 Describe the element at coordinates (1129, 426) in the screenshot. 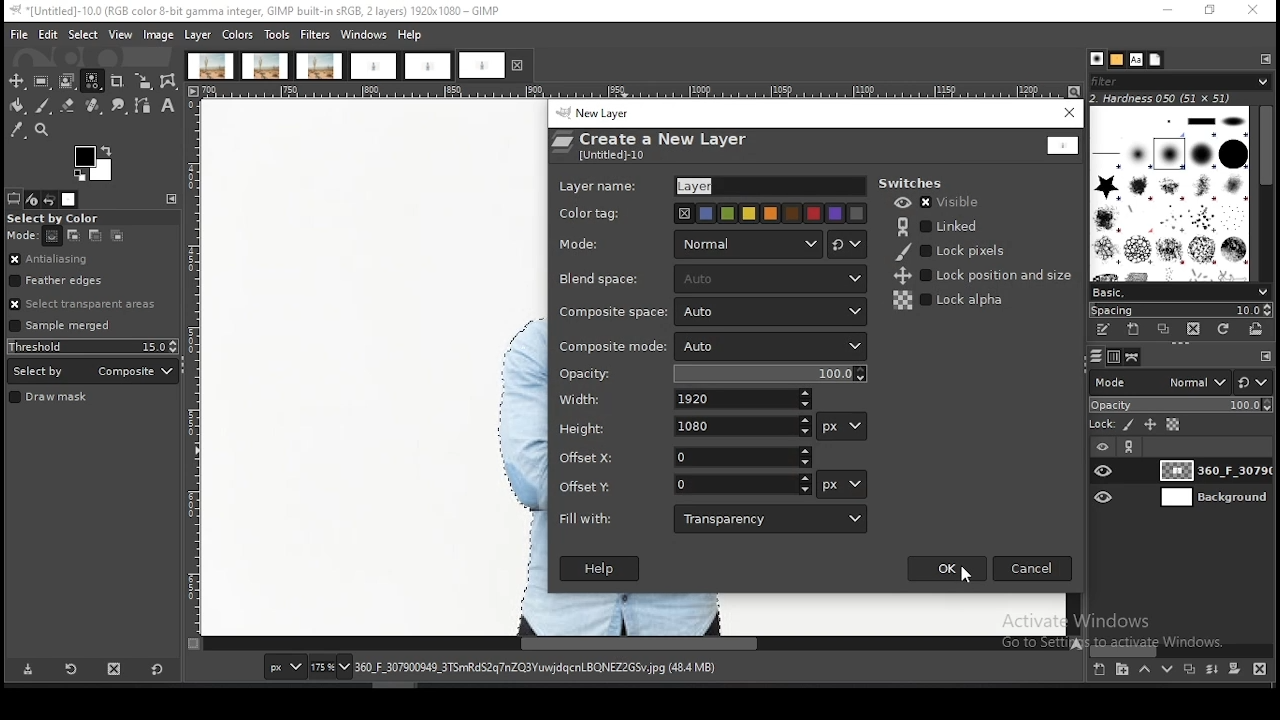

I see `lock pixels` at that location.